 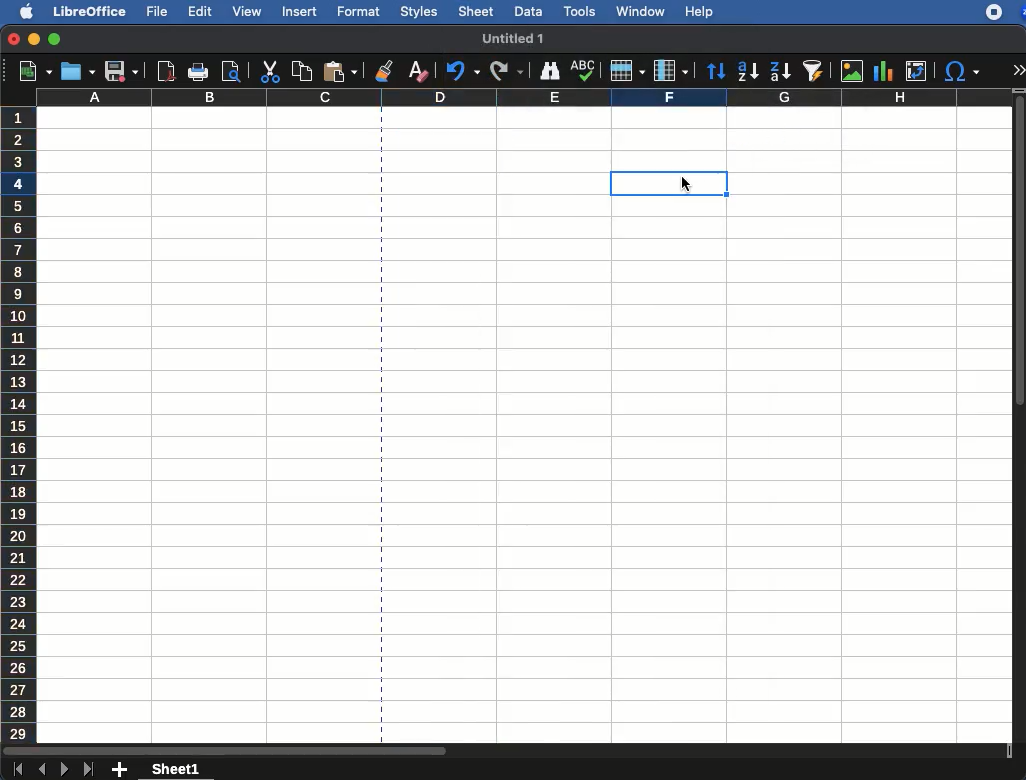 What do you see at coordinates (167, 73) in the screenshot?
I see `pdf view` at bounding box center [167, 73].